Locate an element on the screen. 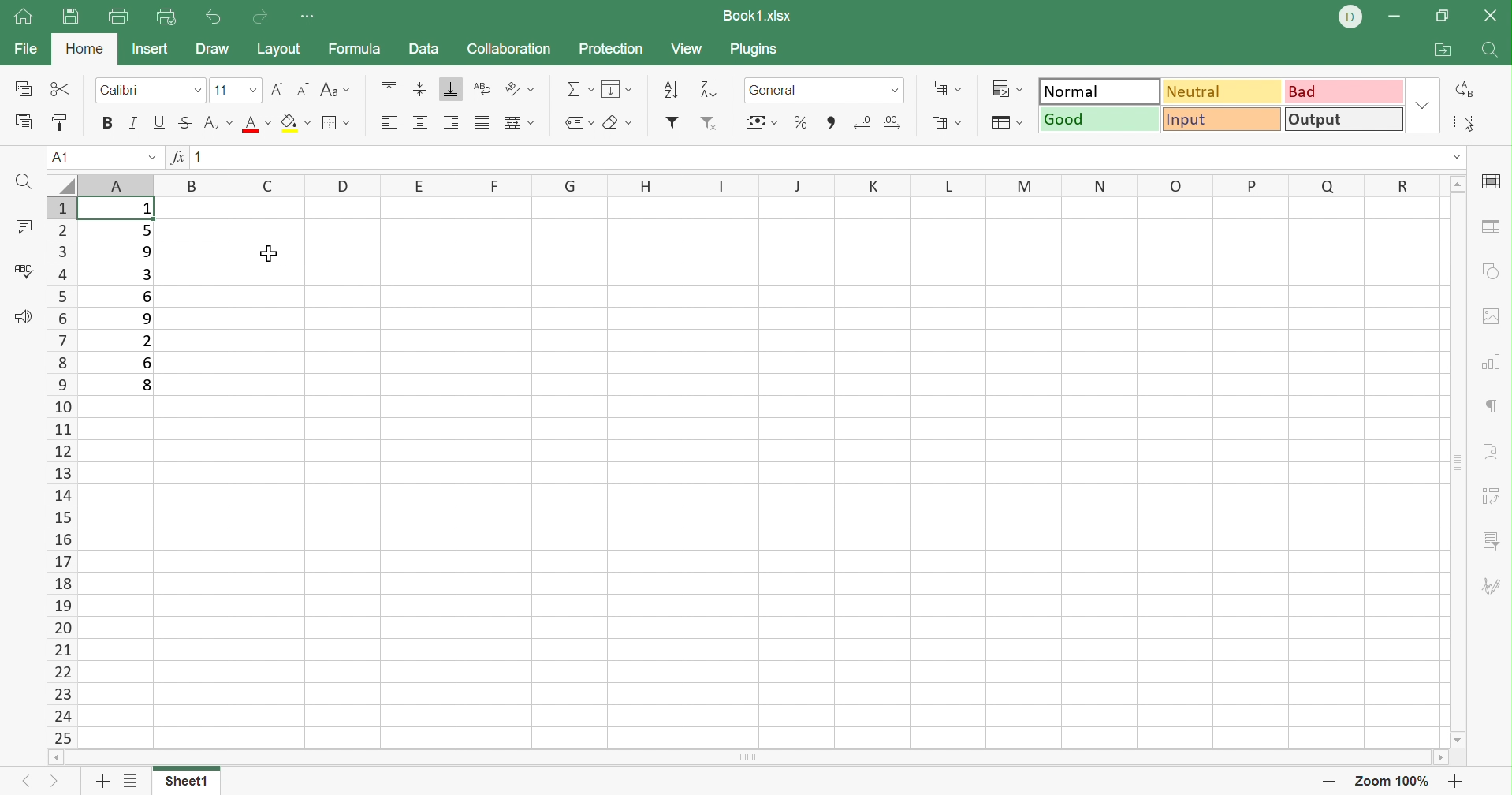 The width and height of the screenshot is (1512, 795). Fill is located at coordinates (296, 125).